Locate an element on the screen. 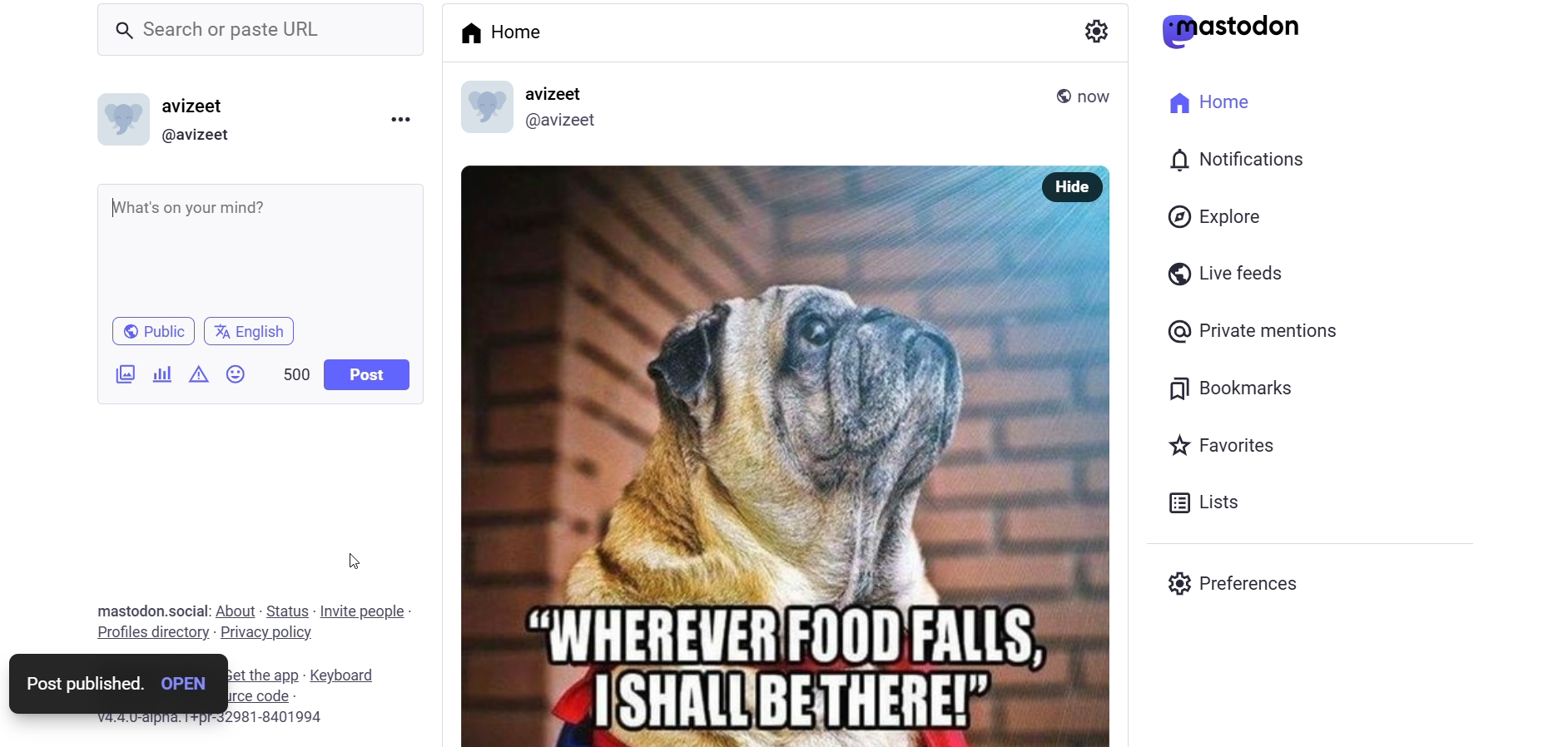  POST is located at coordinates (364, 376).